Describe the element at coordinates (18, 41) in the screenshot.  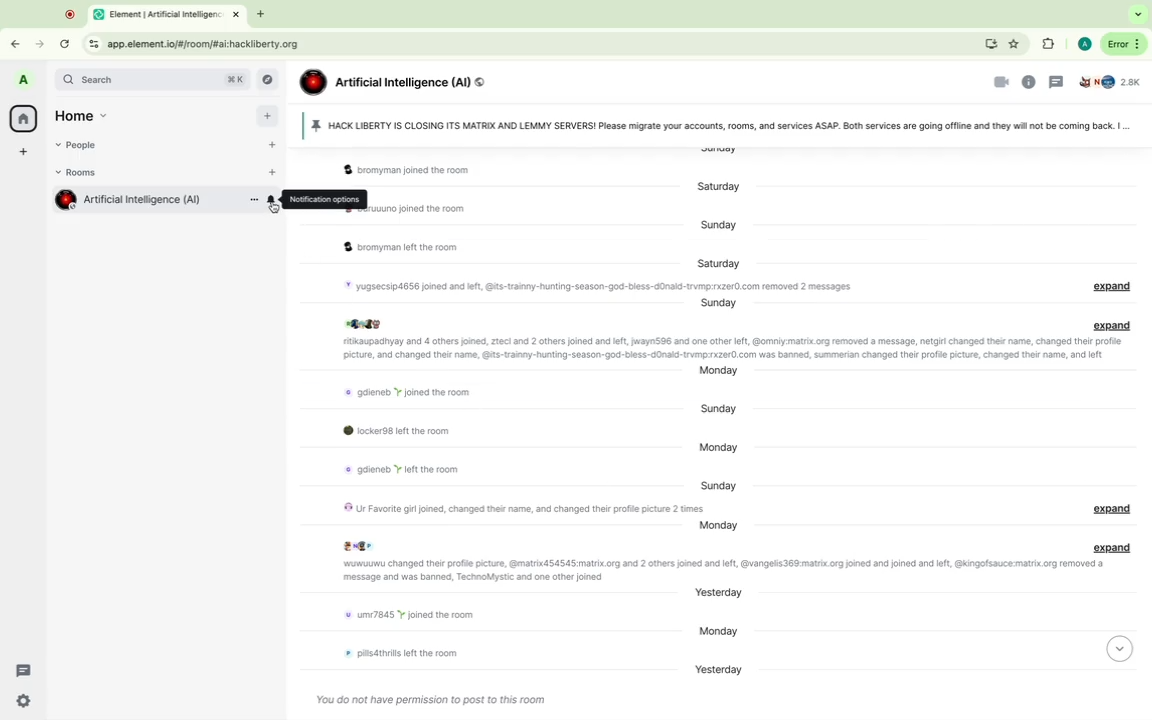
I see `Back` at that location.